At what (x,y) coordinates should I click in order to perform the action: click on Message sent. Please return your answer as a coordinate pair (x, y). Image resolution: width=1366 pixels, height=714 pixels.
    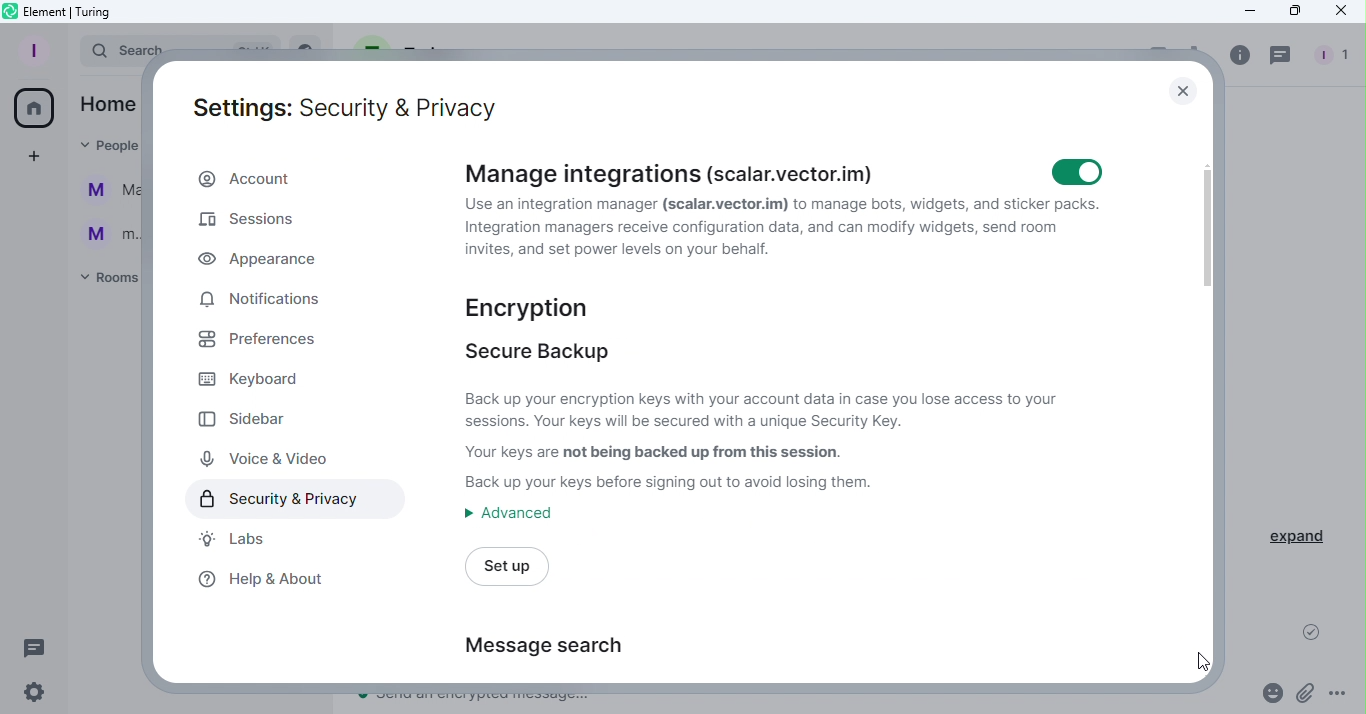
    Looking at the image, I should click on (1312, 636).